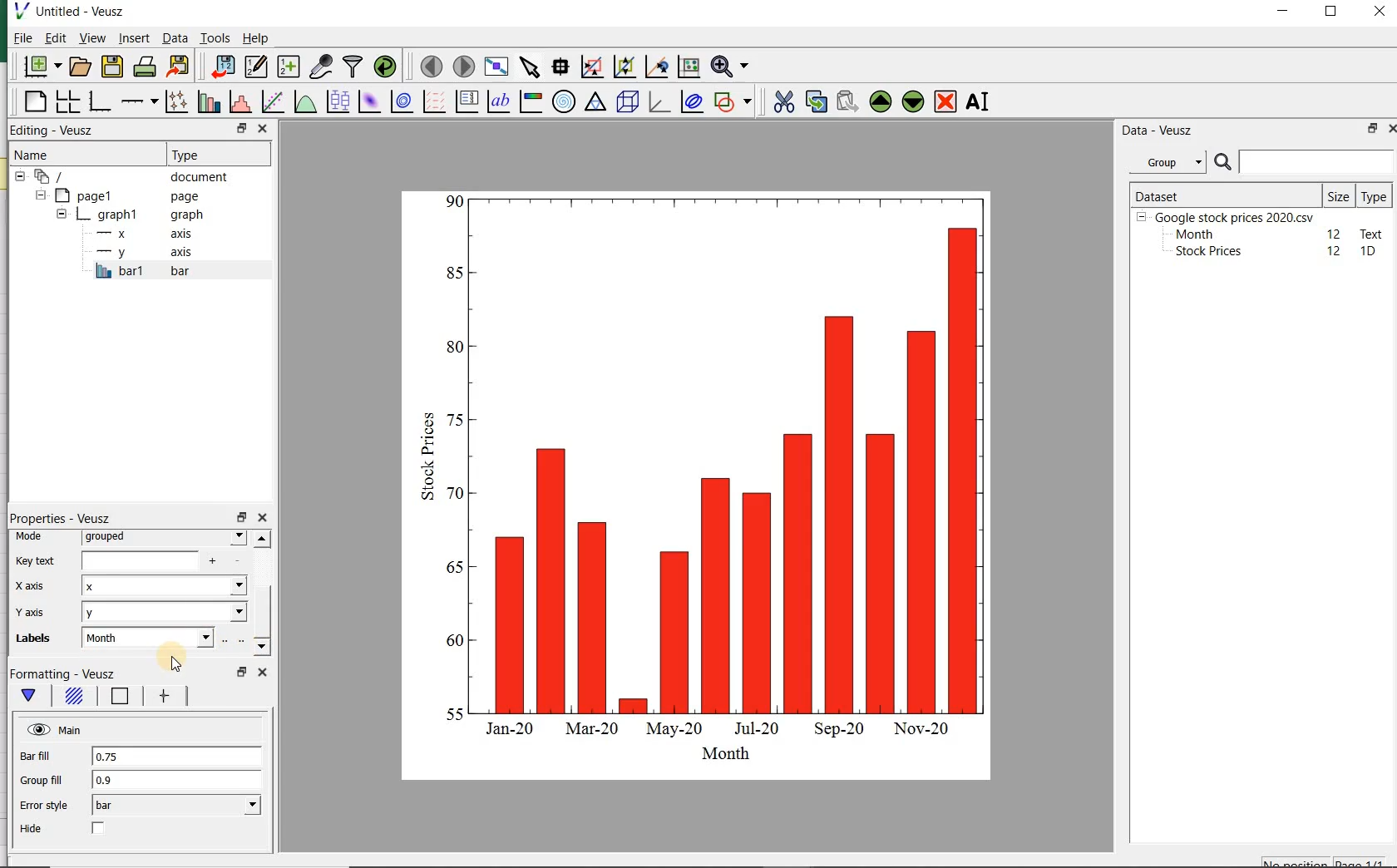 This screenshot has width=1397, height=868. Describe the element at coordinates (138, 103) in the screenshot. I see `add an axis to the plot` at that location.